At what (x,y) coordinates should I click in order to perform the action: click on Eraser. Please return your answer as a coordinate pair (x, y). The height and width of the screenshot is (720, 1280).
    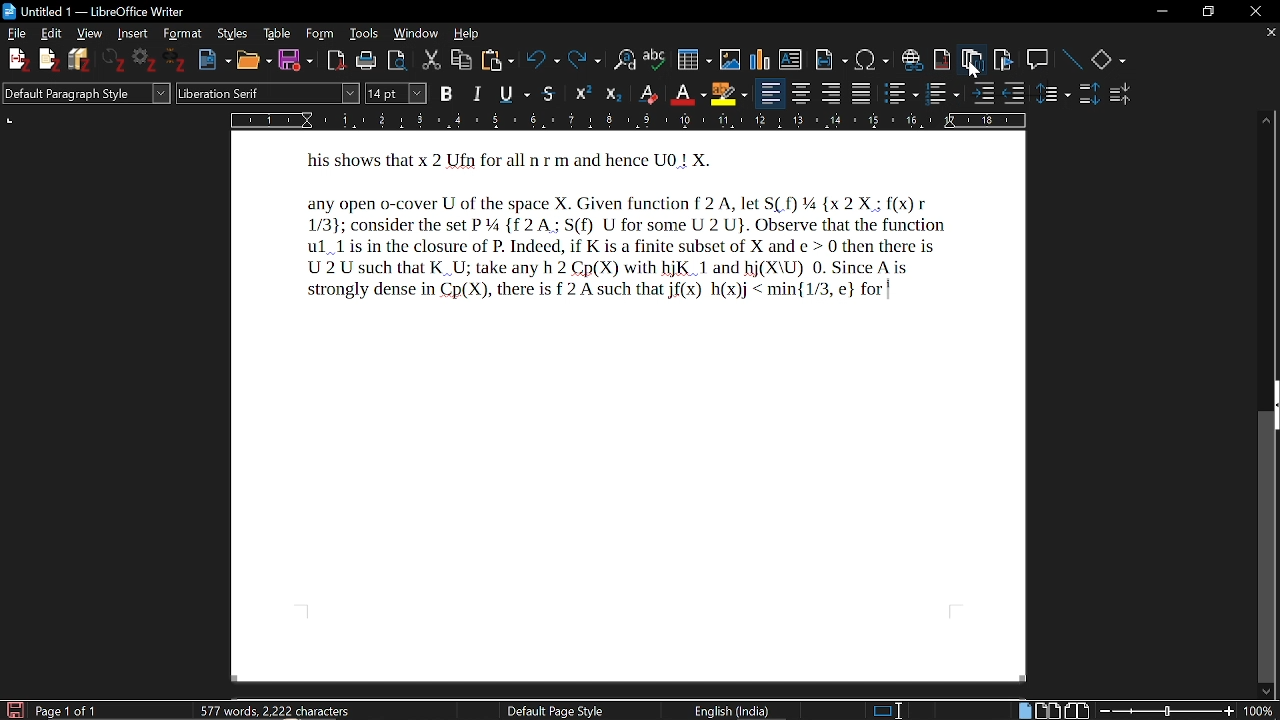
    Looking at the image, I should click on (650, 95).